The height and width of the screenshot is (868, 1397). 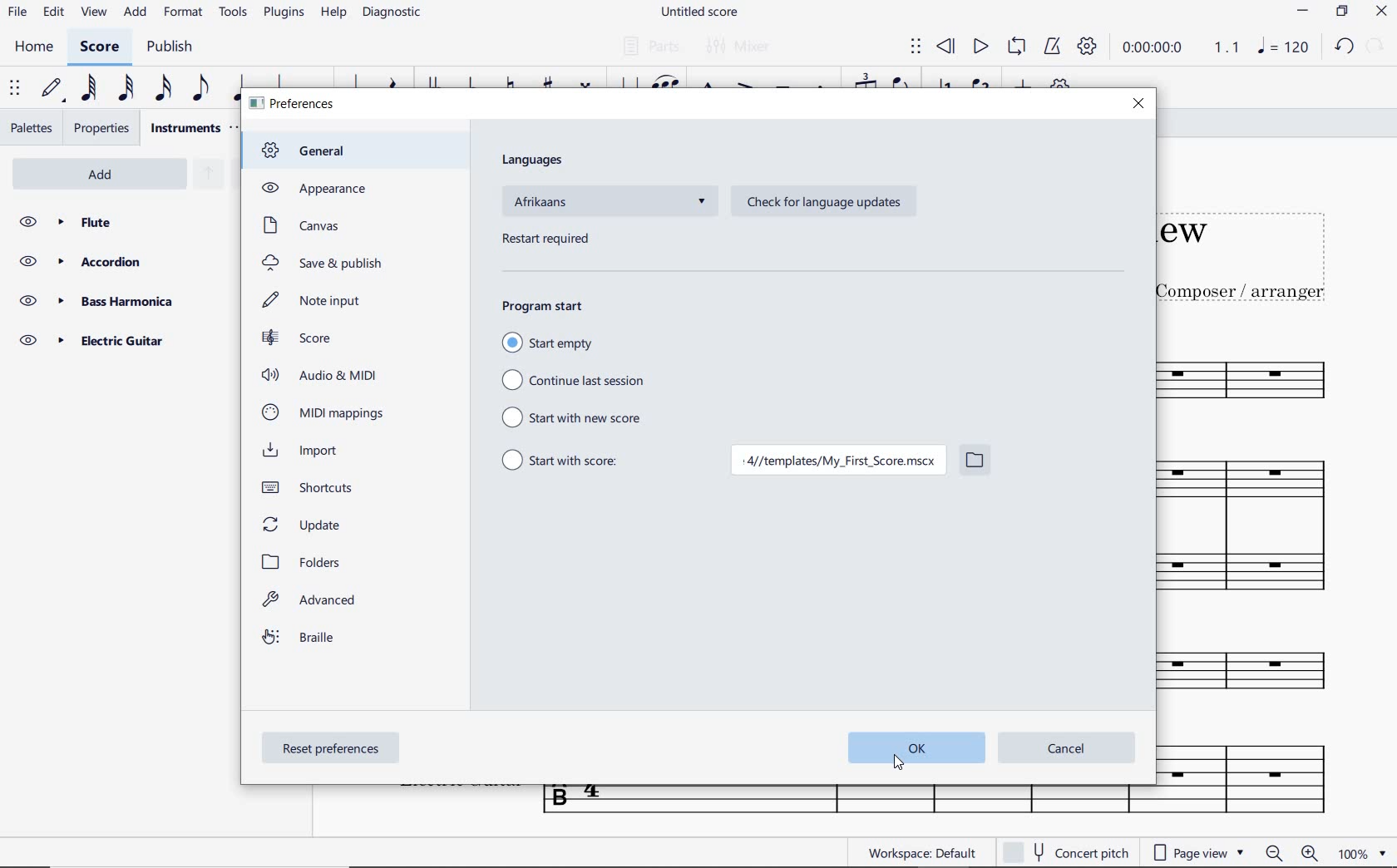 What do you see at coordinates (306, 562) in the screenshot?
I see `folders` at bounding box center [306, 562].